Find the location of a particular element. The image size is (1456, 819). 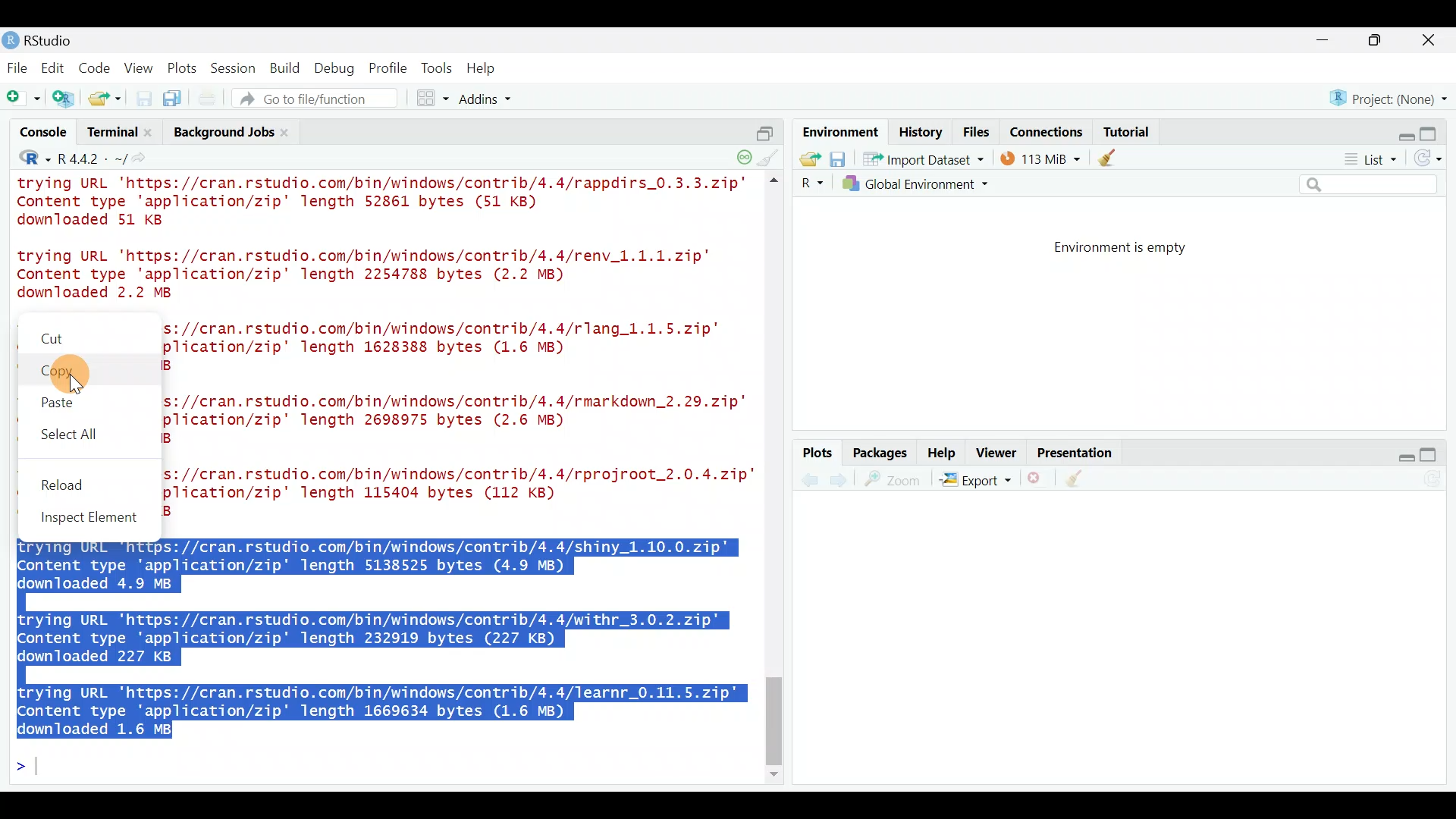

Cursor is located at coordinates (82, 371).